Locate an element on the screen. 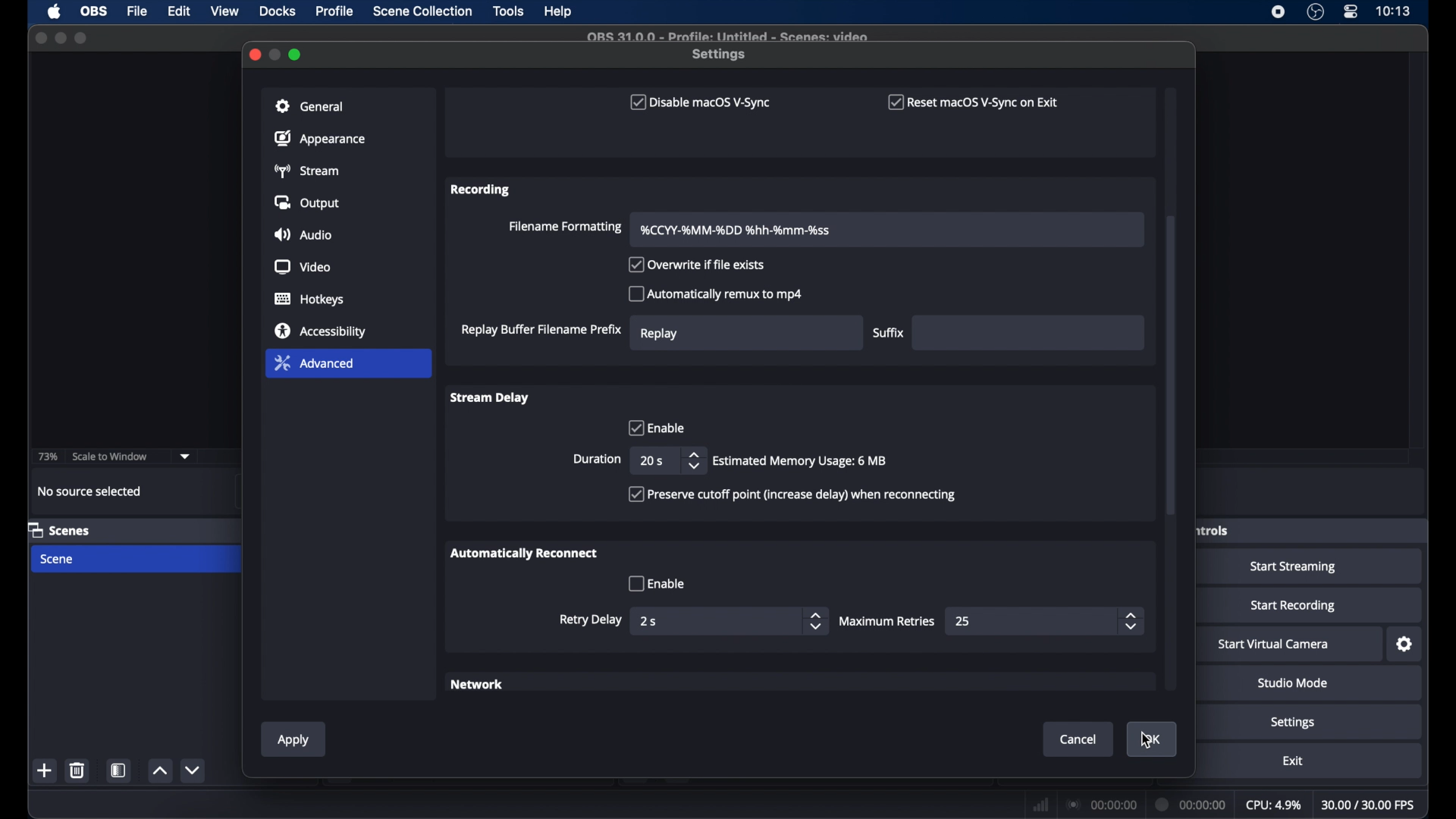 Image resolution: width=1456 pixels, height=819 pixels. 20 s is located at coordinates (651, 460).